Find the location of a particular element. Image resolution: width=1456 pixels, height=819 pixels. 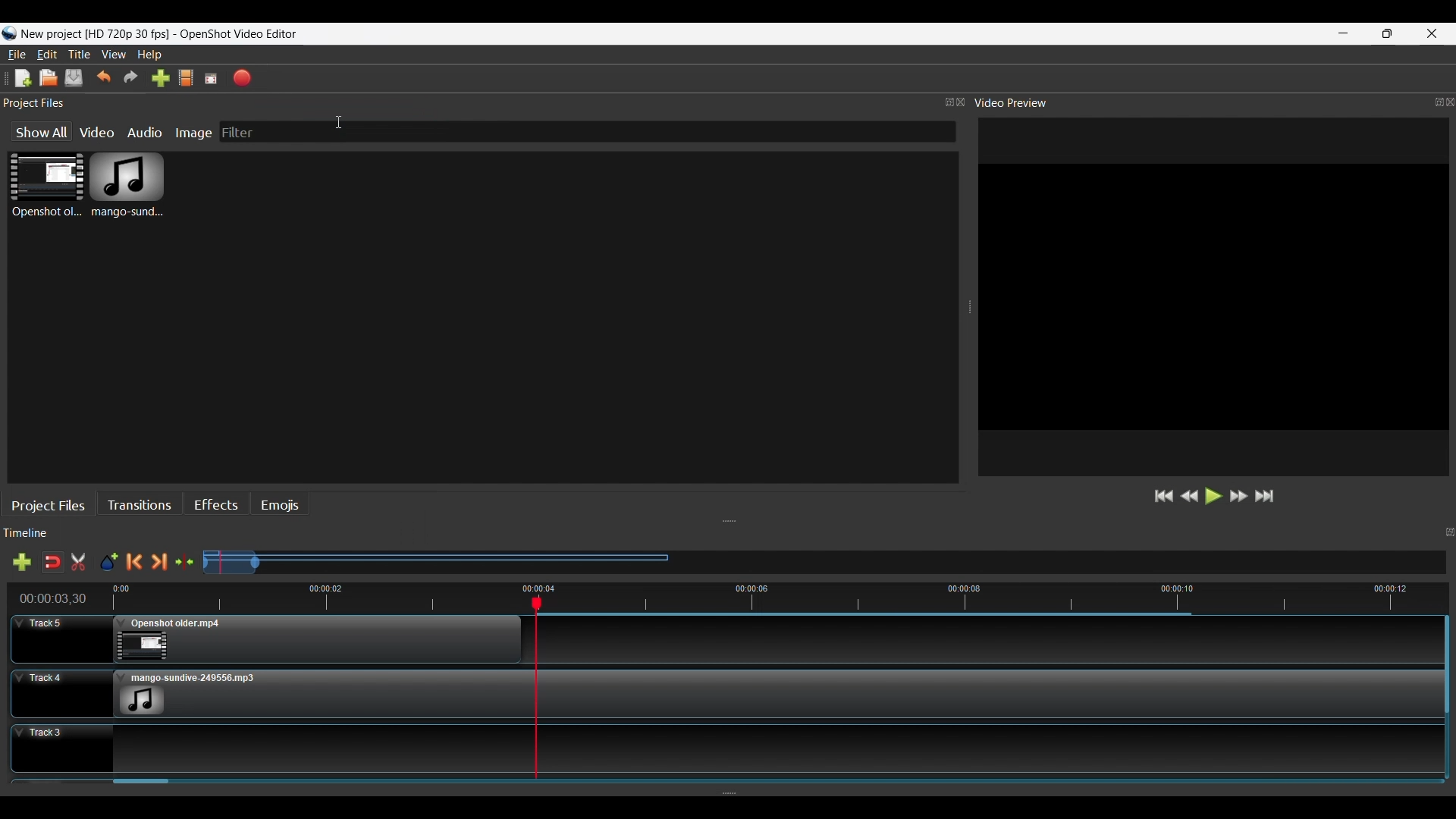

Preview Window is located at coordinates (1213, 298).